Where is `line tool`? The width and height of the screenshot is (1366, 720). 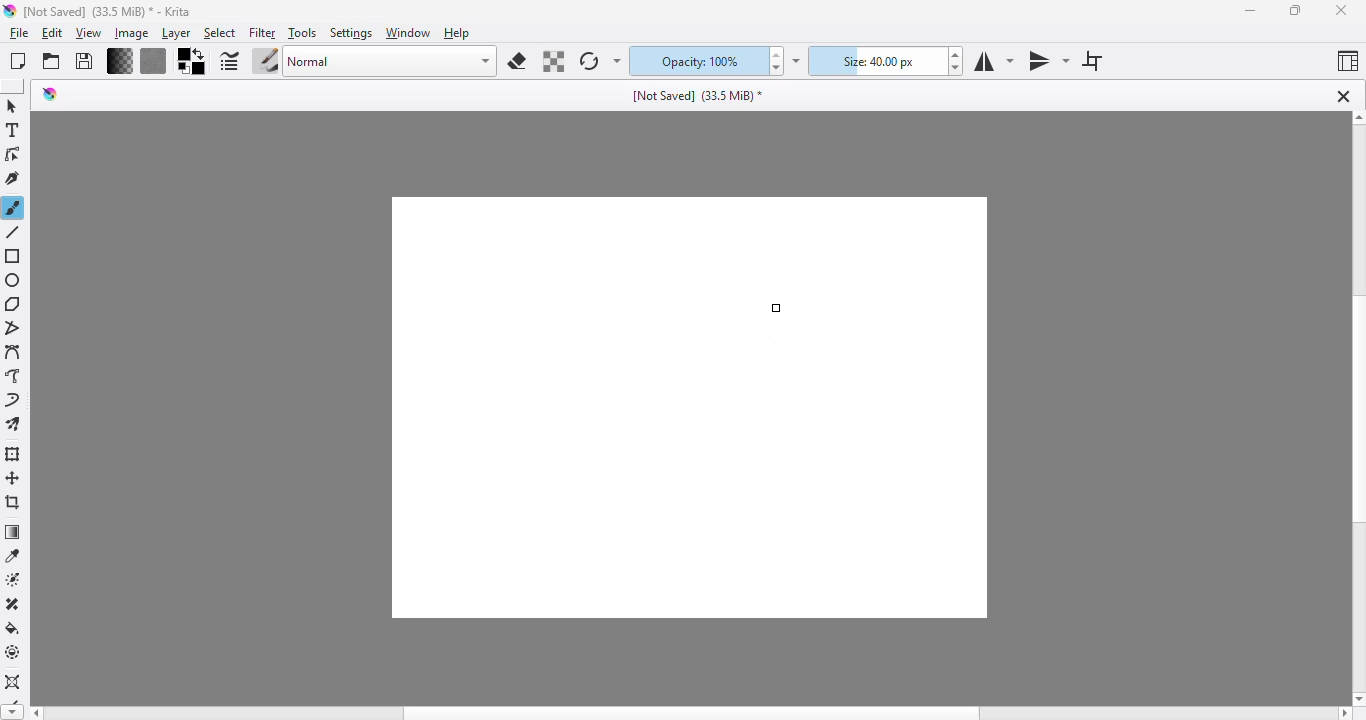 line tool is located at coordinates (13, 232).